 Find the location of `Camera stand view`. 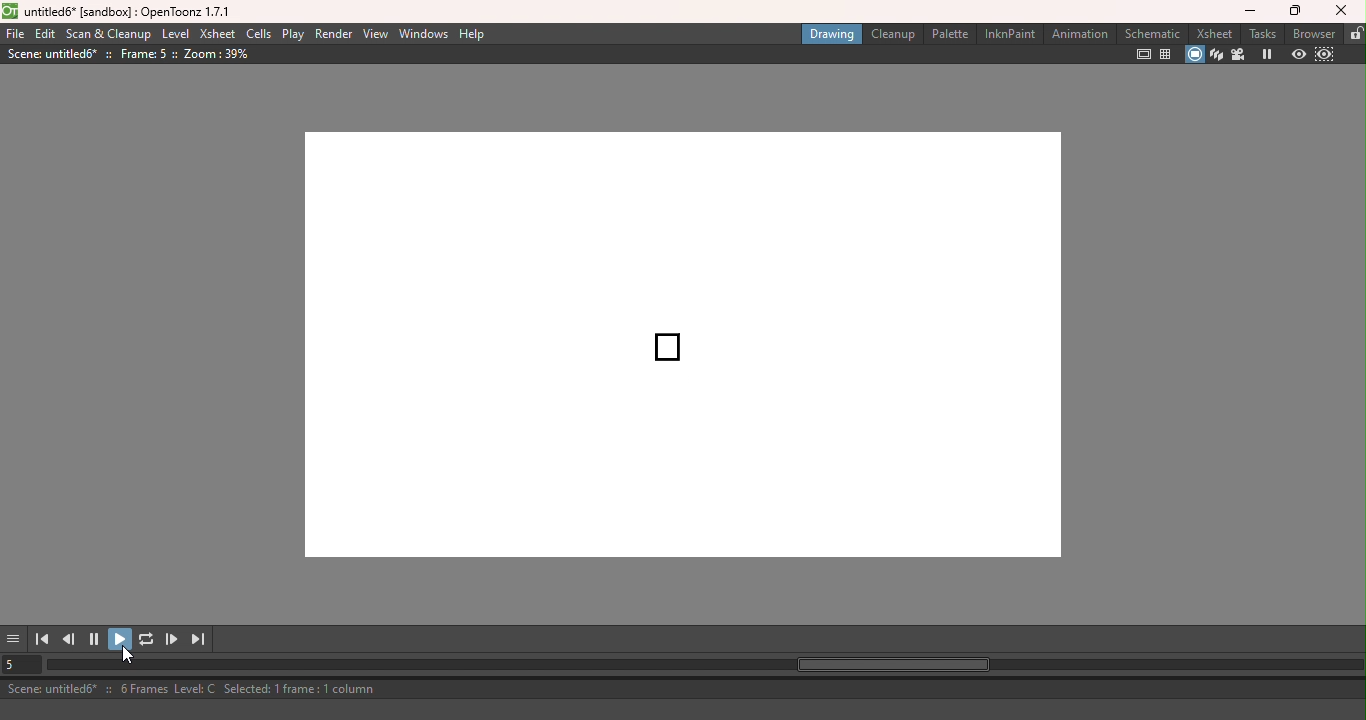

Camera stand view is located at coordinates (1195, 53).